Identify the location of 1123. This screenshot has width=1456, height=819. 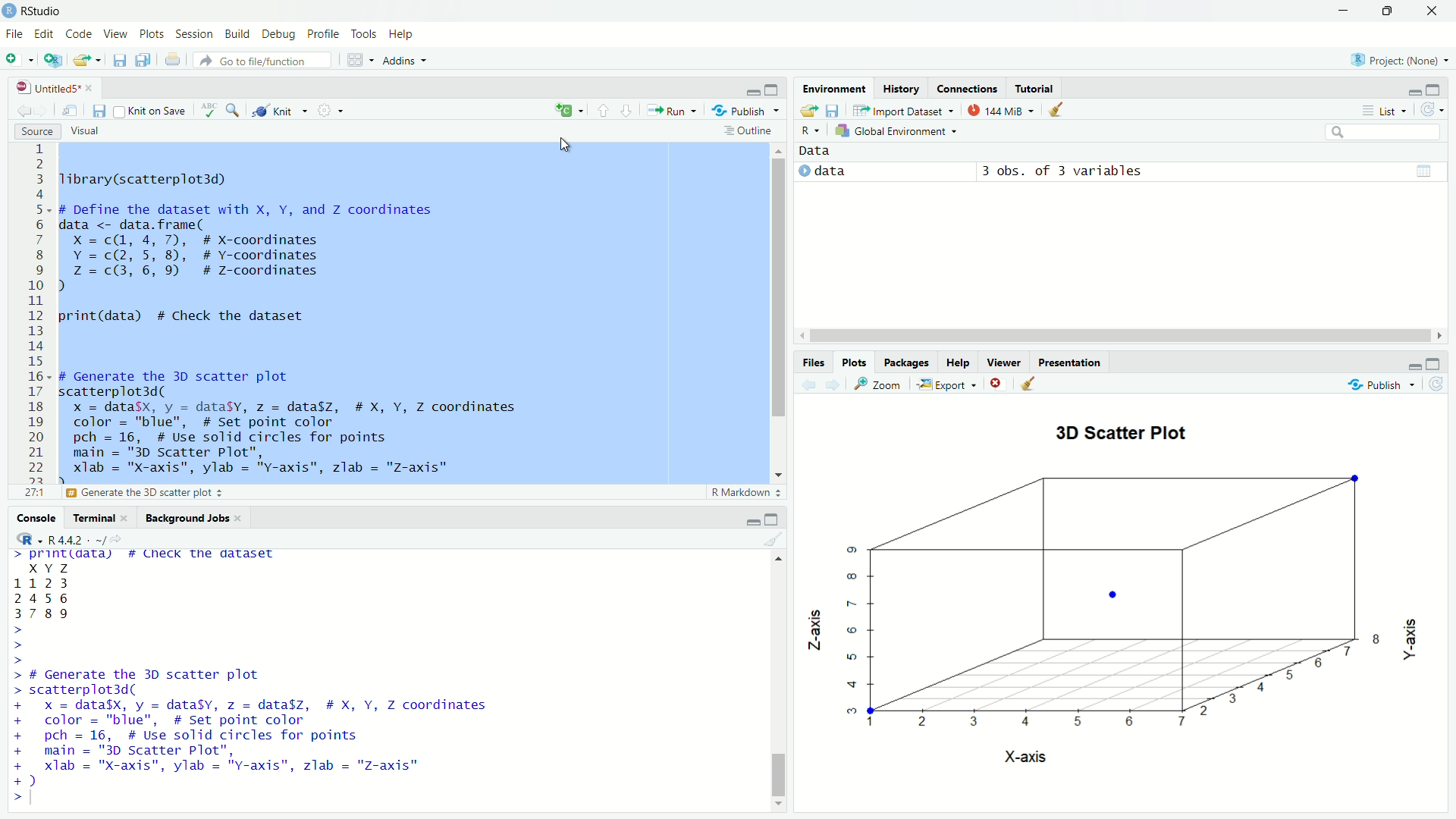
(44, 582).